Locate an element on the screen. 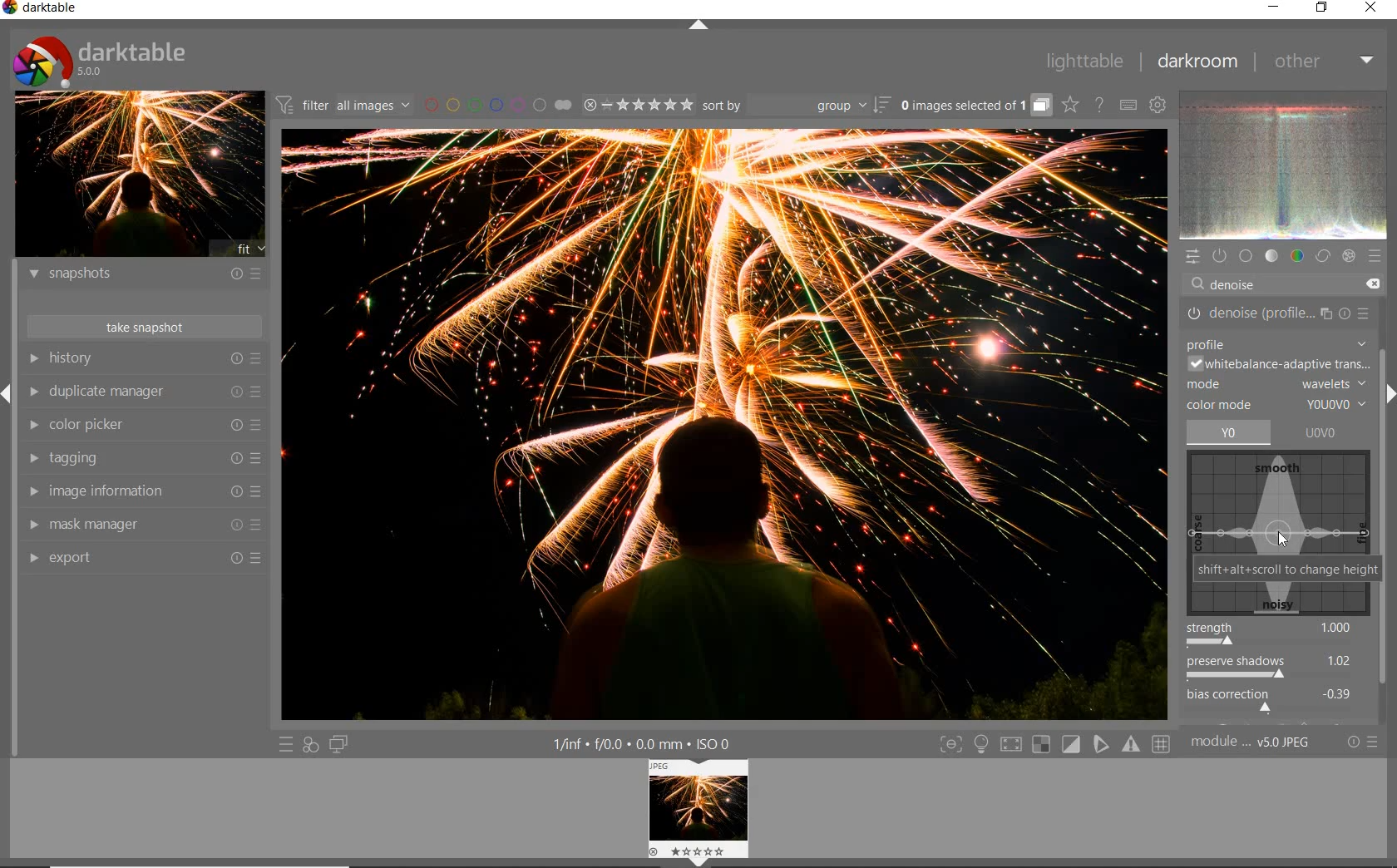  show only active modules is located at coordinates (1221, 255).